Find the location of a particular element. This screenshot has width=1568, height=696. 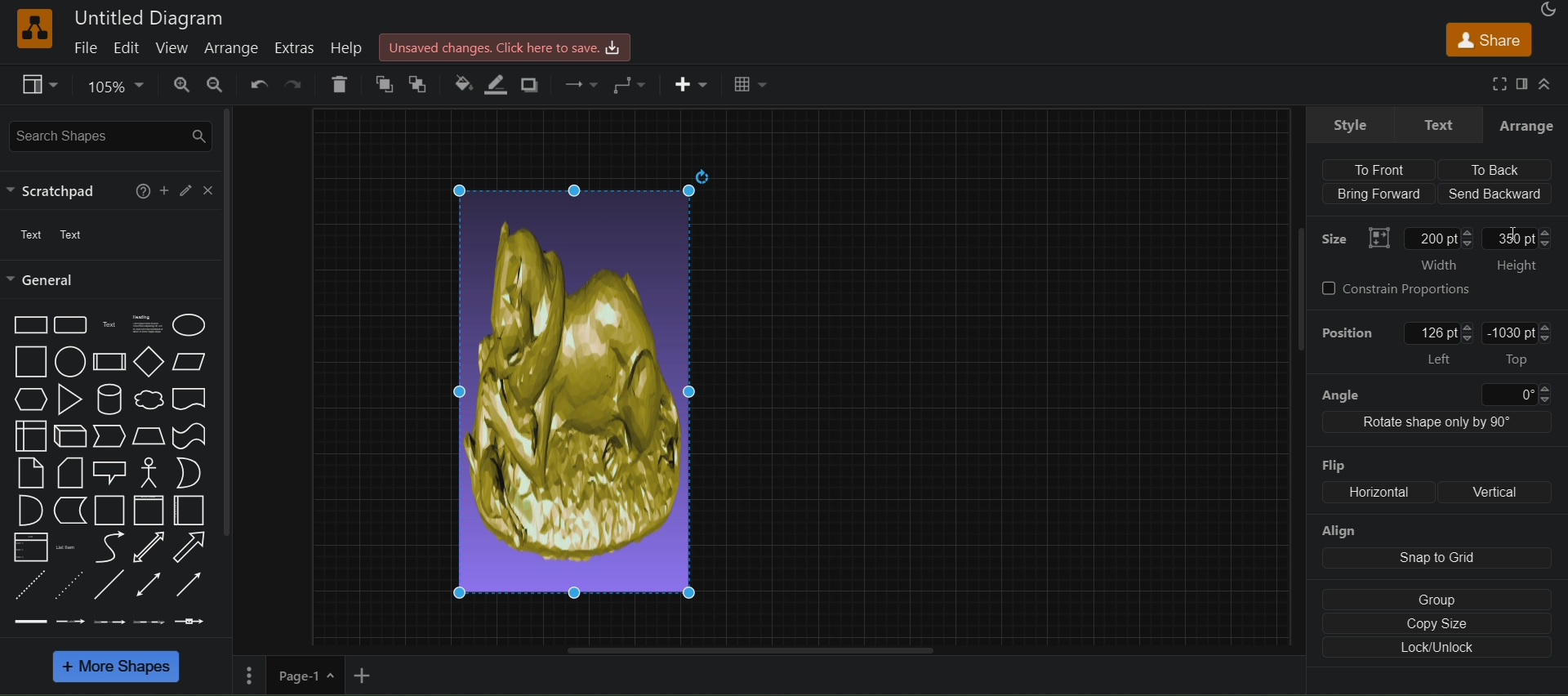

align to front is located at coordinates (1388, 168).